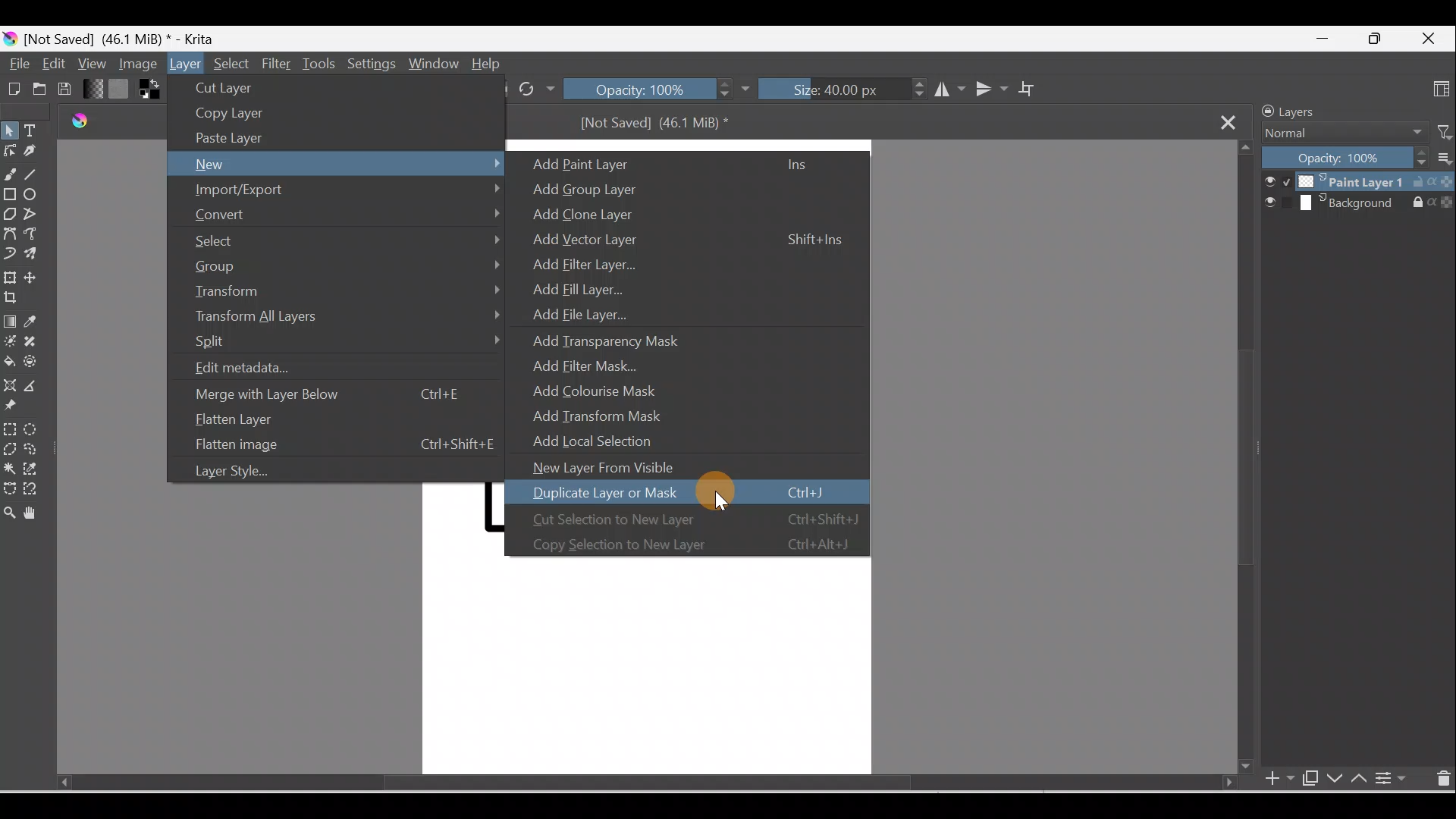 The image size is (1456, 819). Describe the element at coordinates (9, 469) in the screenshot. I see `Contiguous selection tool` at that location.